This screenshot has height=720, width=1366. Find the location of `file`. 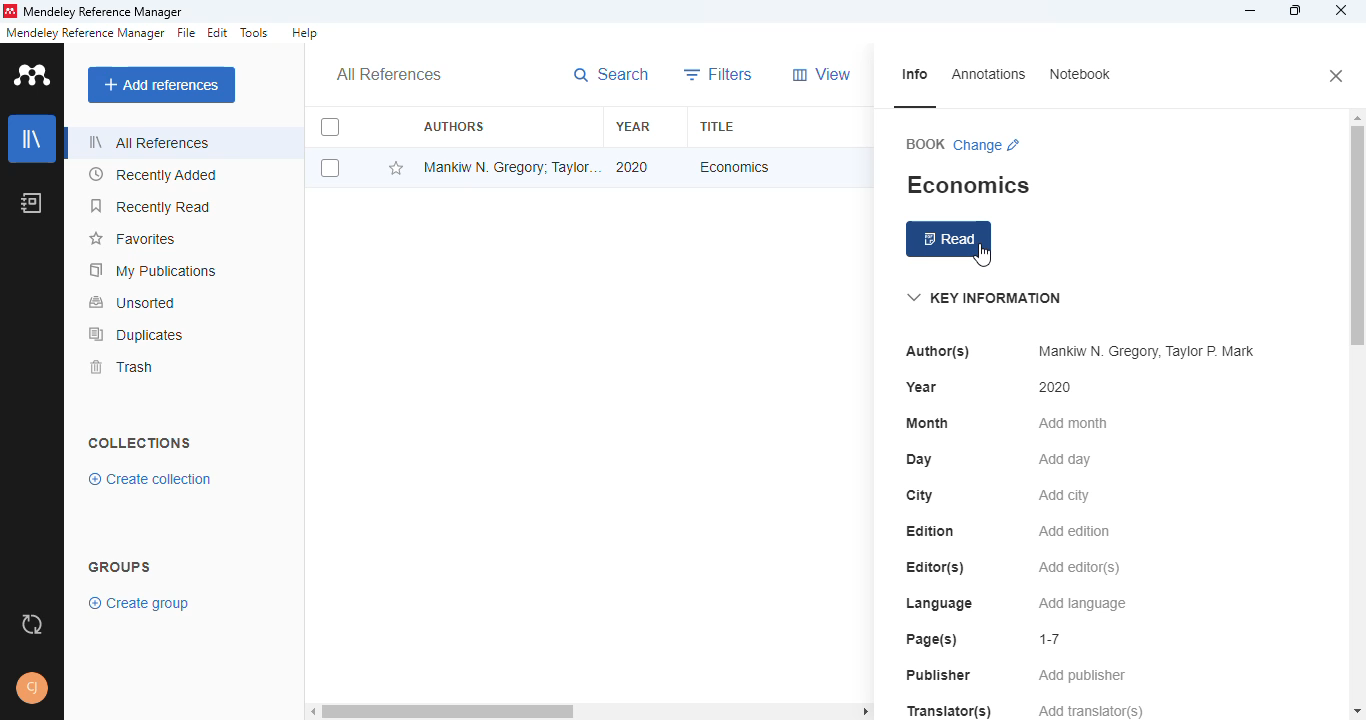

file is located at coordinates (186, 33).